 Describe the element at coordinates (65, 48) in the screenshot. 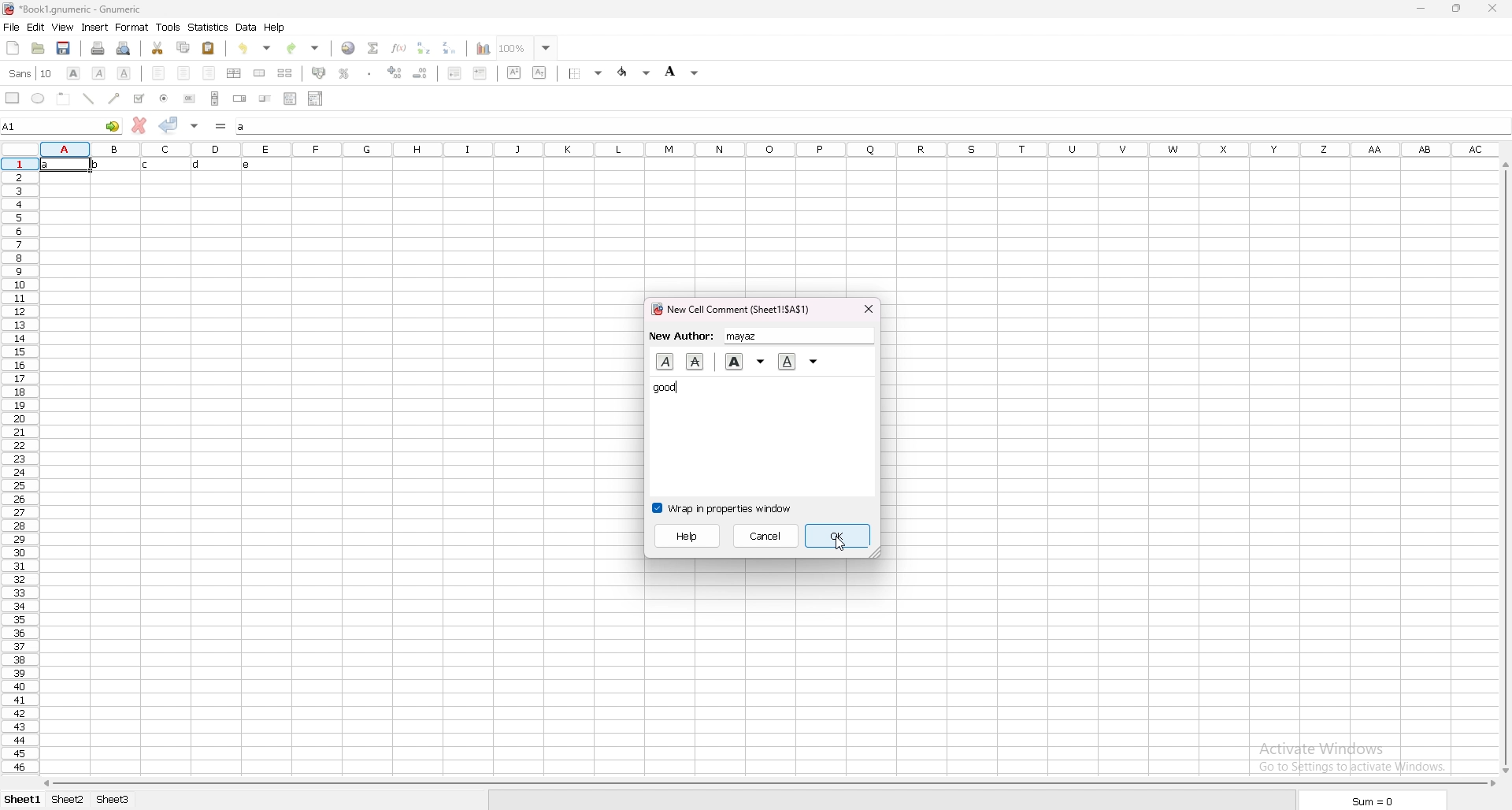

I see `save` at that location.